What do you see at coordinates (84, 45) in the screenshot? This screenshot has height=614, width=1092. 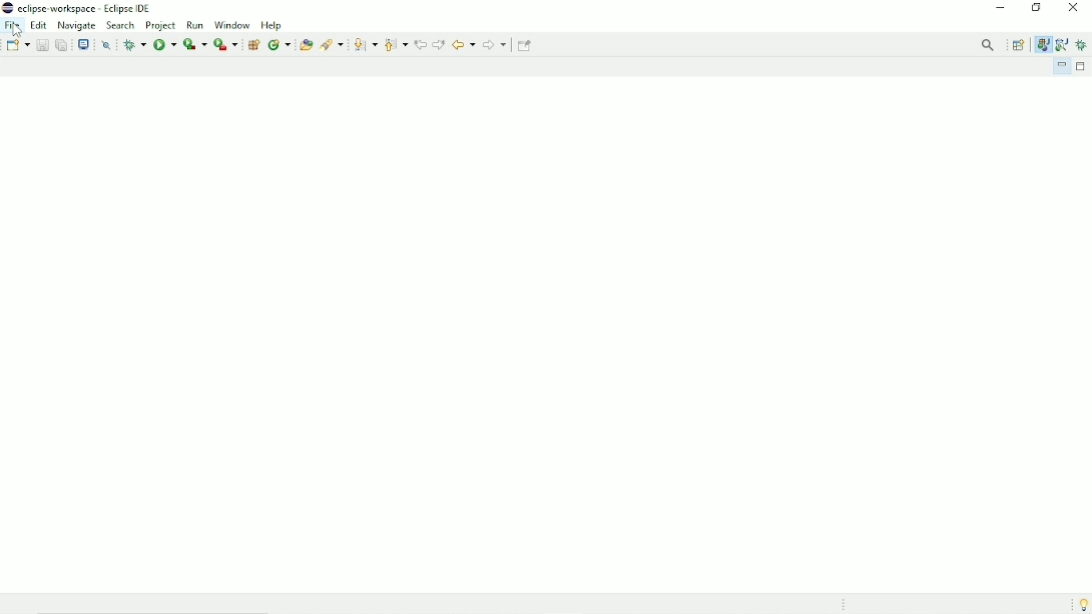 I see `Open a terminal` at bounding box center [84, 45].